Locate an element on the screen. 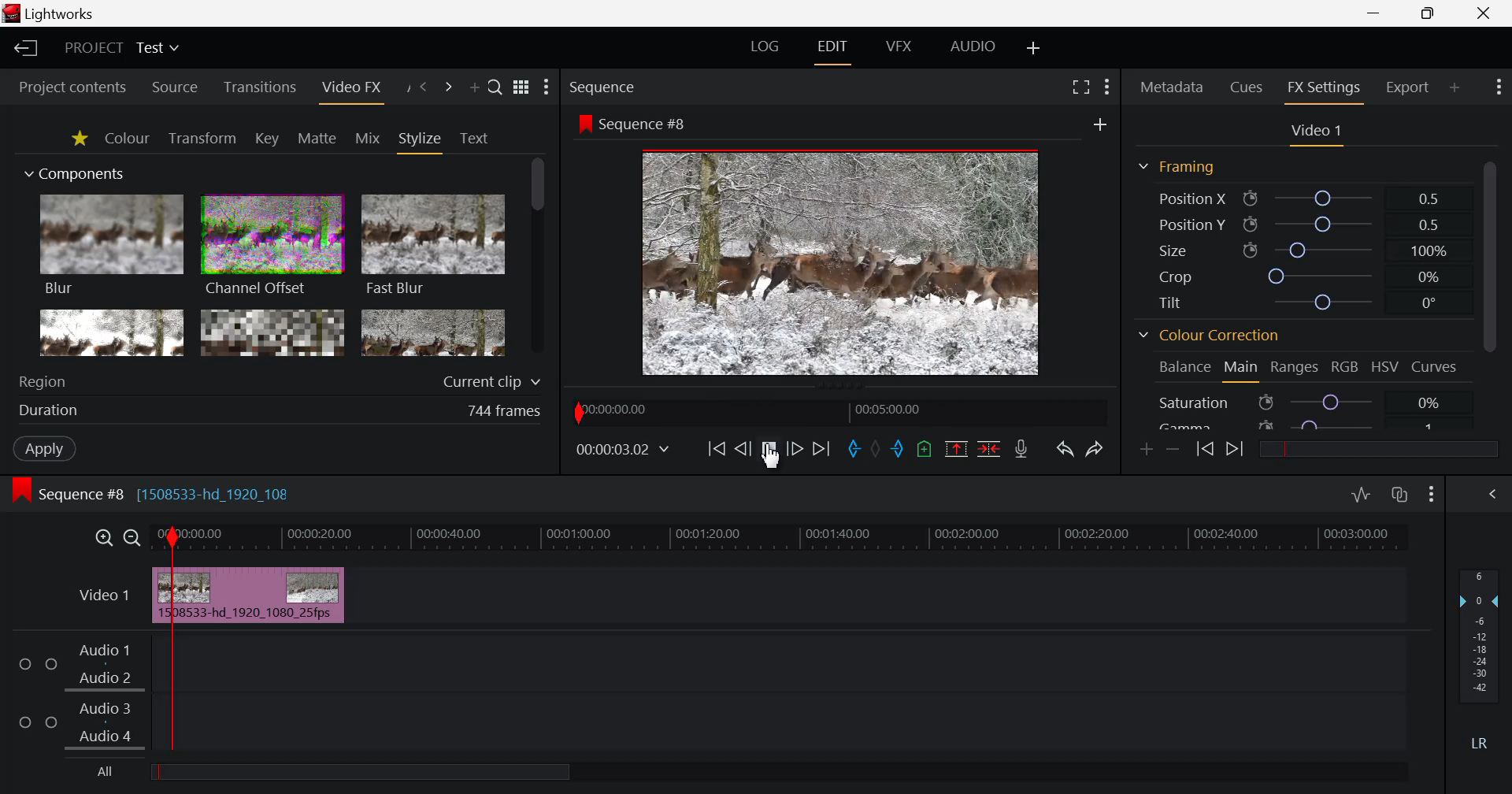 The height and width of the screenshot is (794, 1512). Balance is located at coordinates (1183, 369).